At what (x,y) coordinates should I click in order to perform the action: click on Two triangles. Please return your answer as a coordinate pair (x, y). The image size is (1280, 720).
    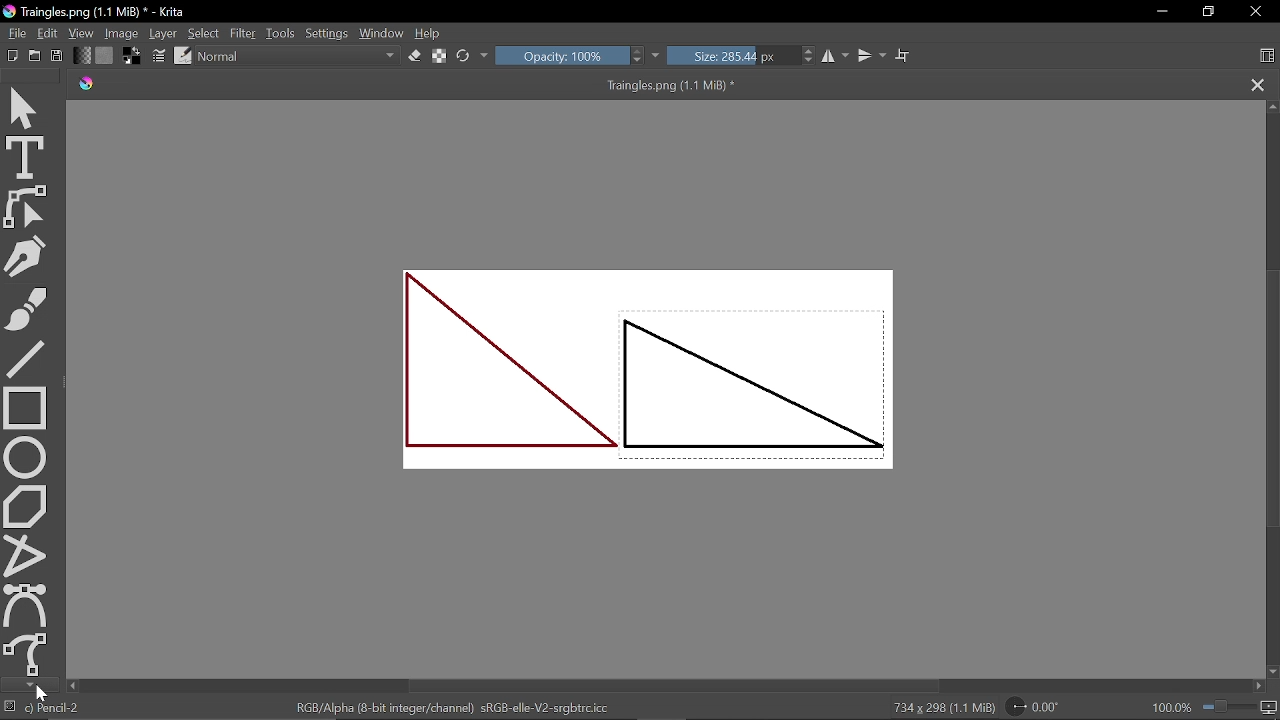
    Looking at the image, I should click on (670, 376).